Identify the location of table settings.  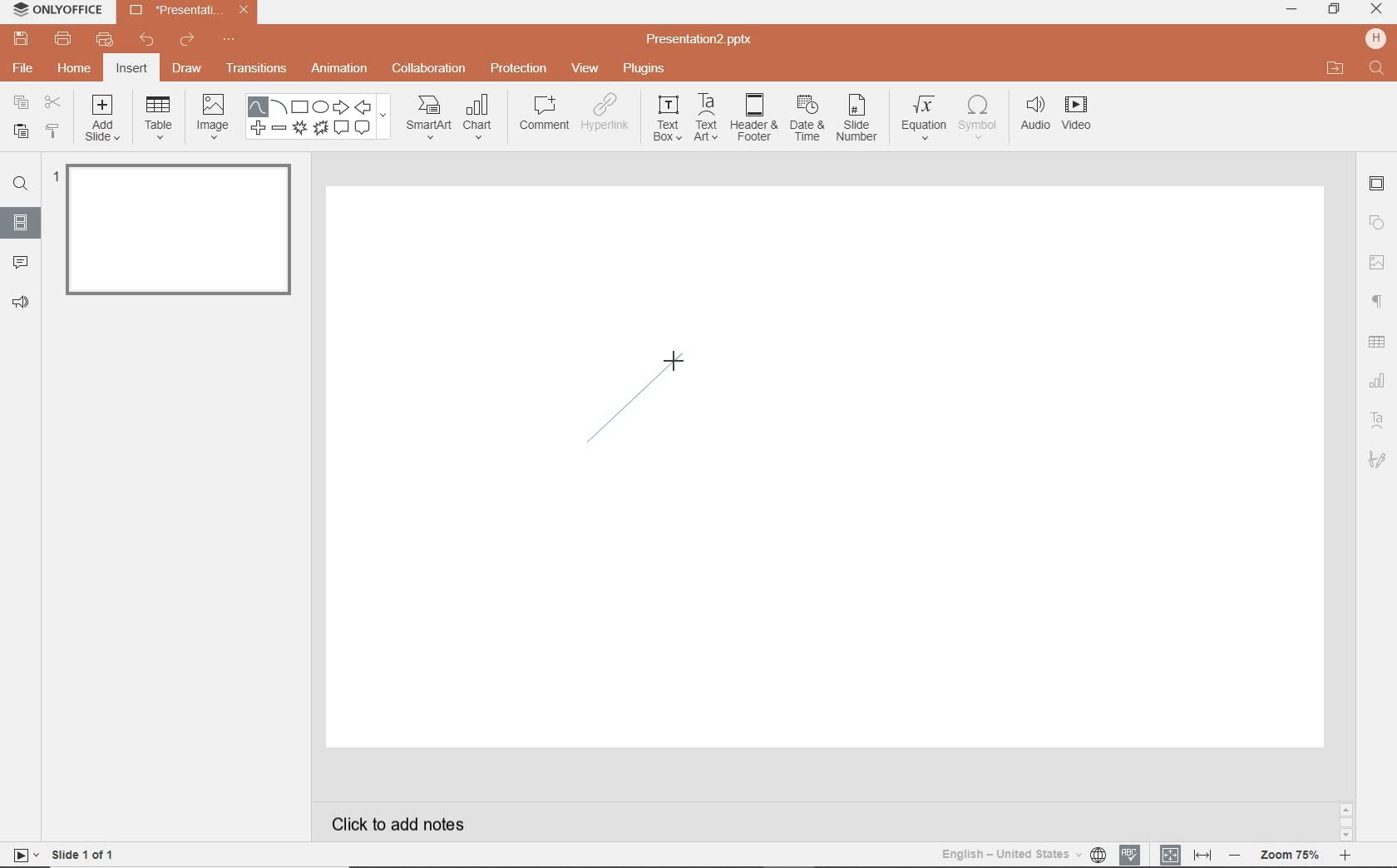
(1379, 340).